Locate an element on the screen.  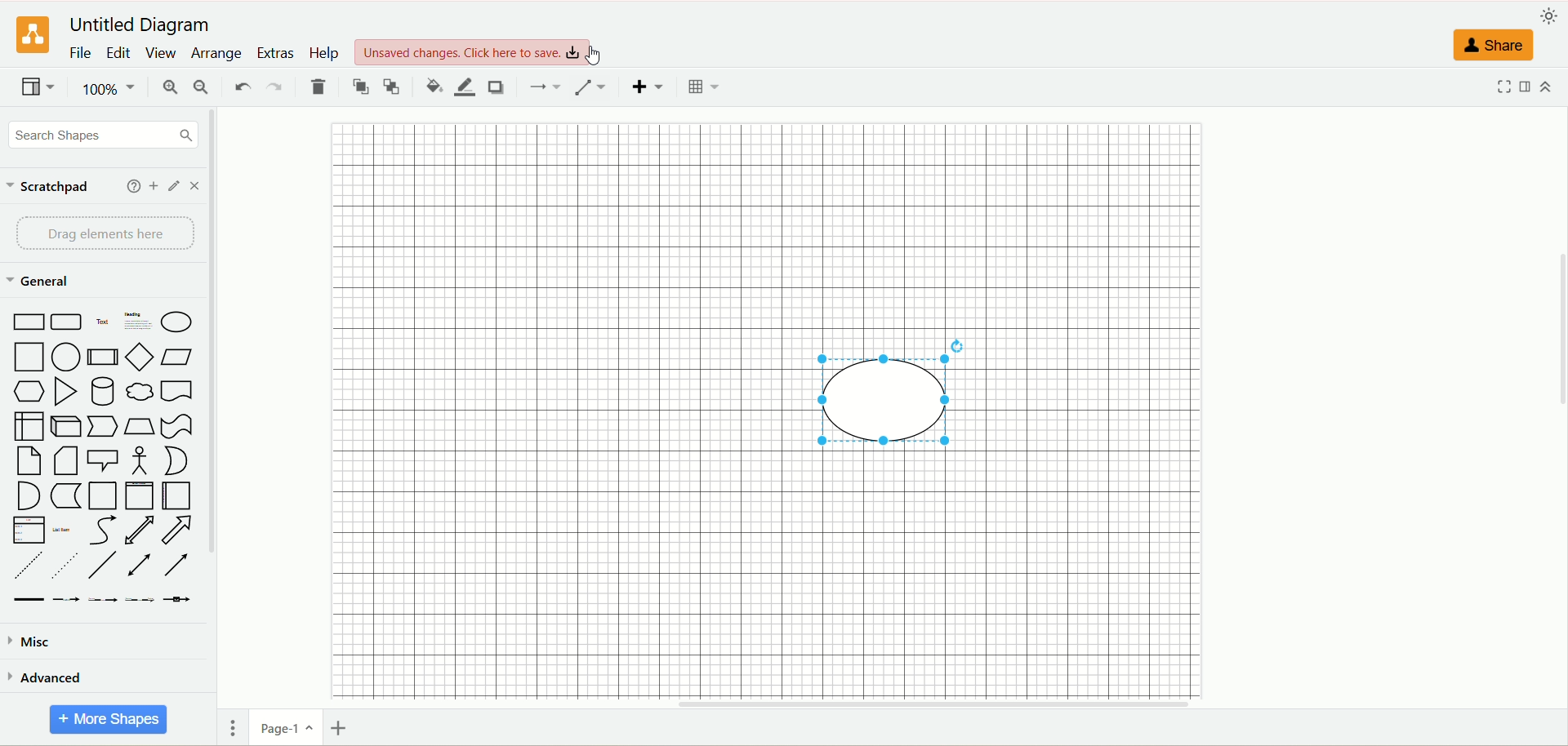
share is located at coordinates (1494, 48).